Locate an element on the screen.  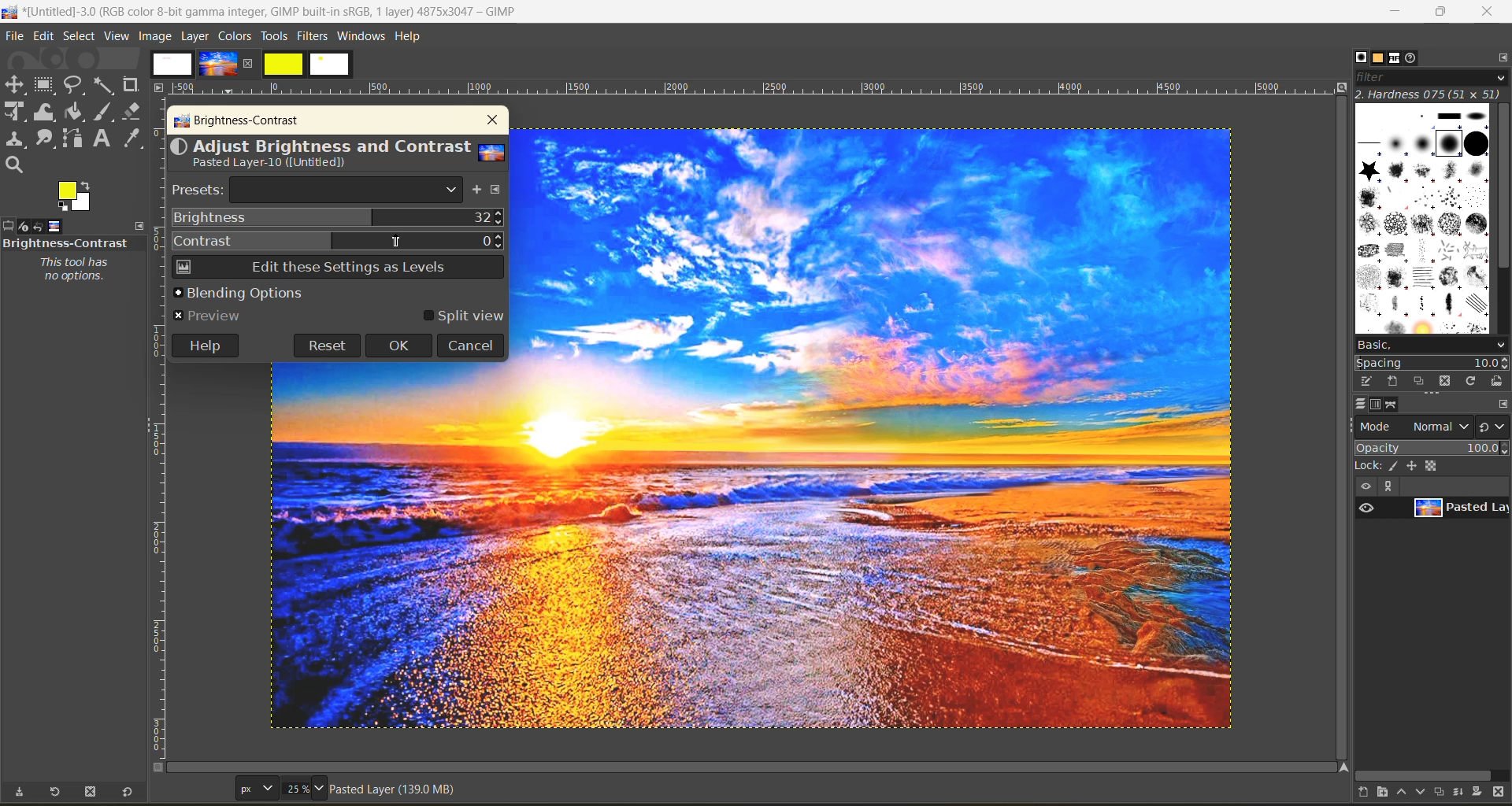
horizontal scroll bar is located at coordinates (69, 775).